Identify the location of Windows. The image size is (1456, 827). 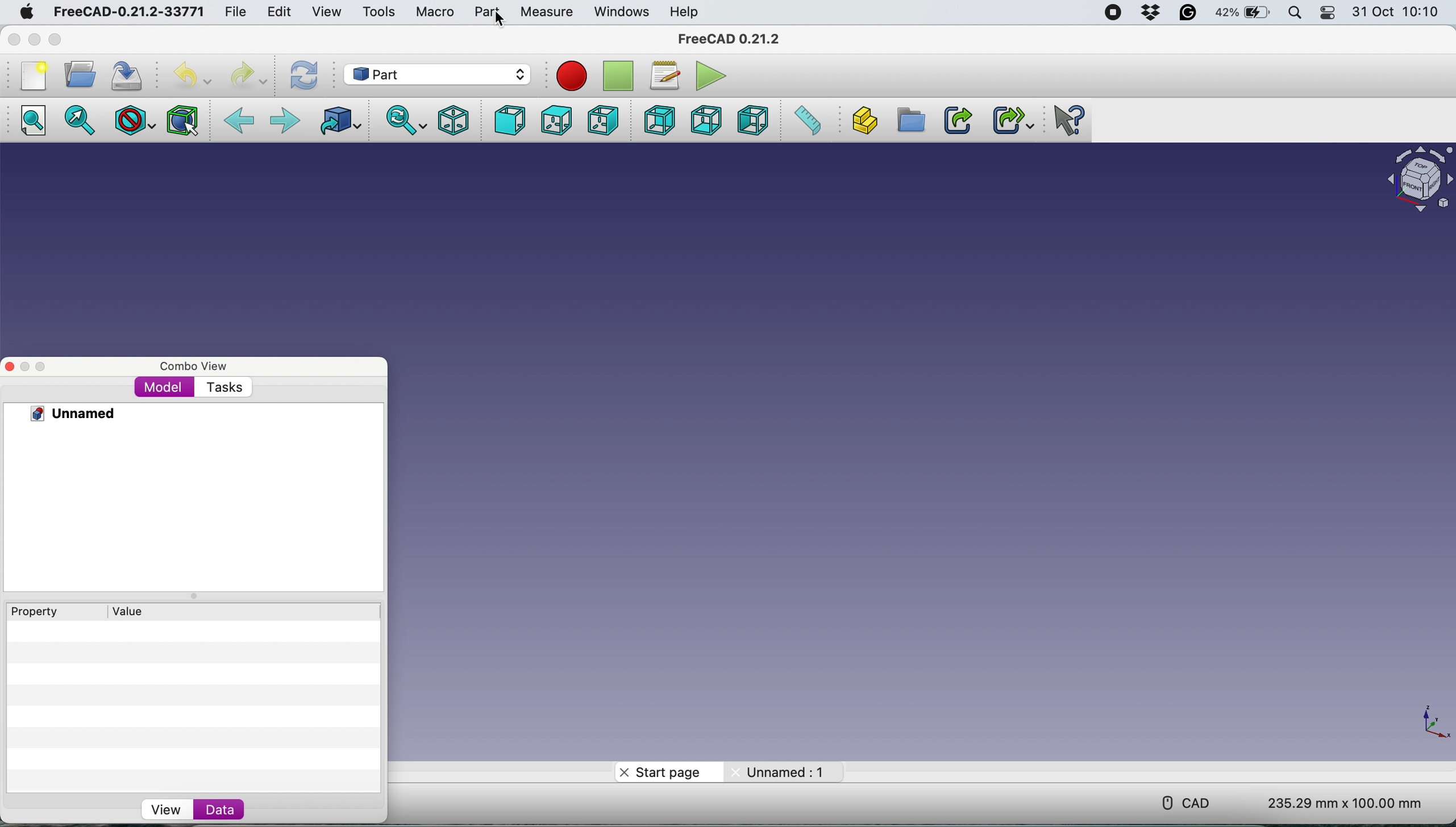
(621, 13).